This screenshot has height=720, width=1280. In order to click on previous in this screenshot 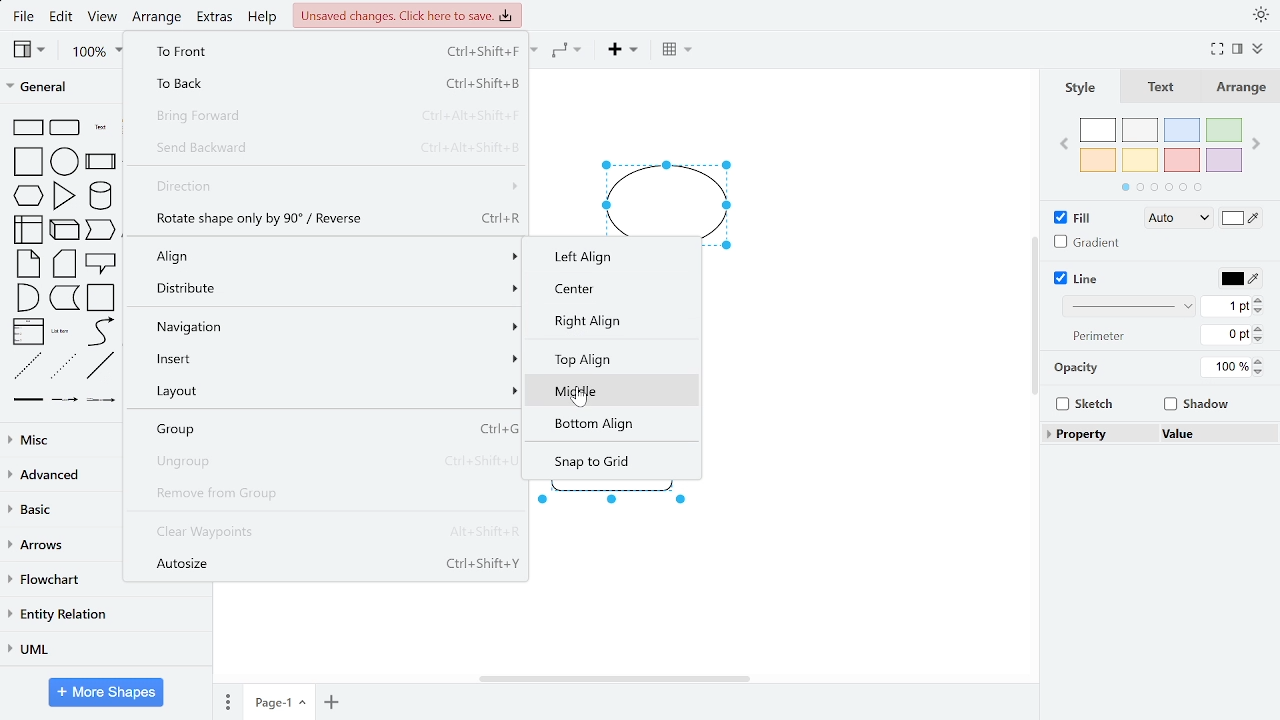, I will do `click(1064, 146)`.